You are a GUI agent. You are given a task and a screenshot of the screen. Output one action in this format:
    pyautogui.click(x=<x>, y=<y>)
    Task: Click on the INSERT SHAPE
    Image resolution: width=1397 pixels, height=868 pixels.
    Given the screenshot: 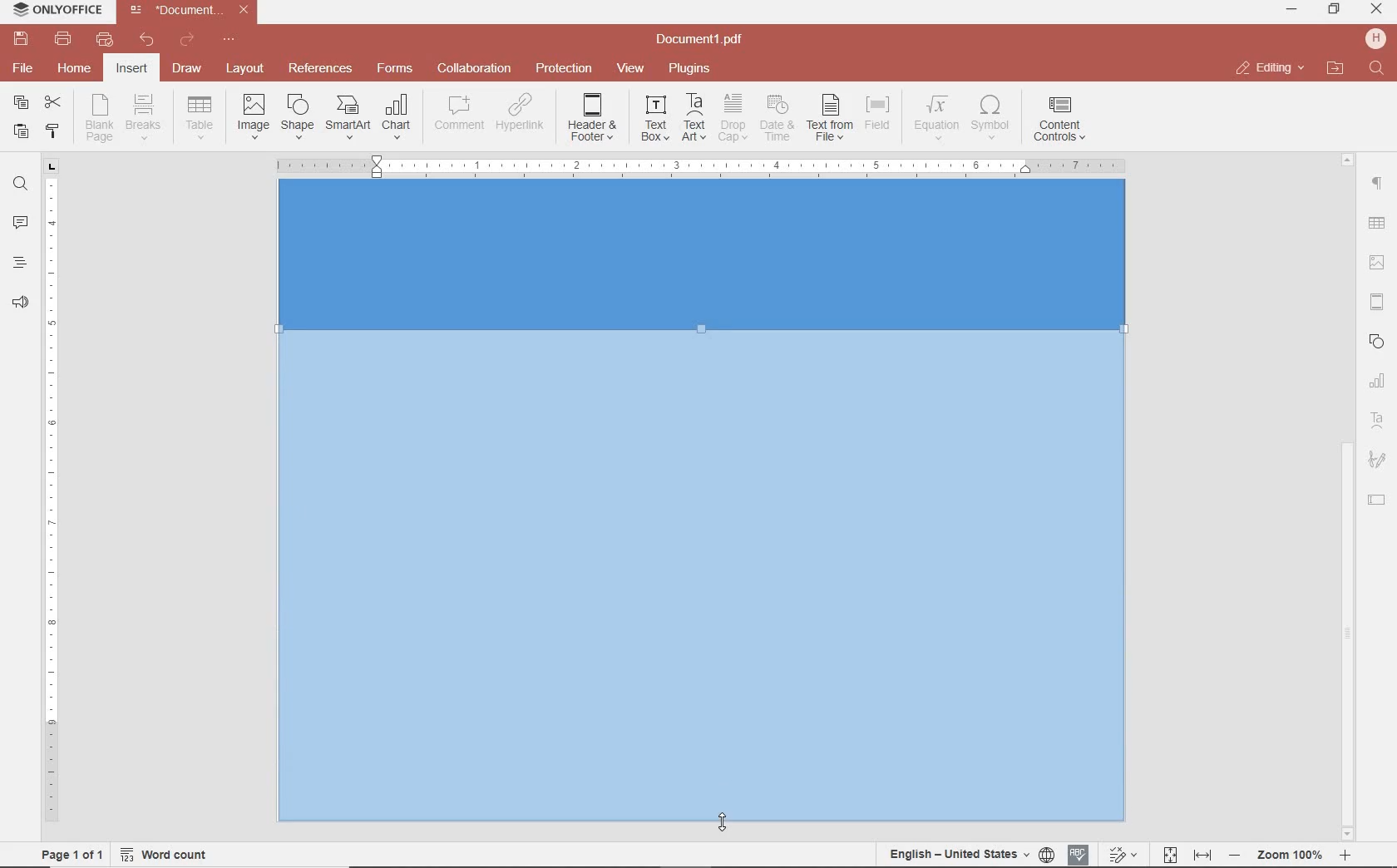 What is the action you would take?
    pyautogui.click(x=296, y=116)
    